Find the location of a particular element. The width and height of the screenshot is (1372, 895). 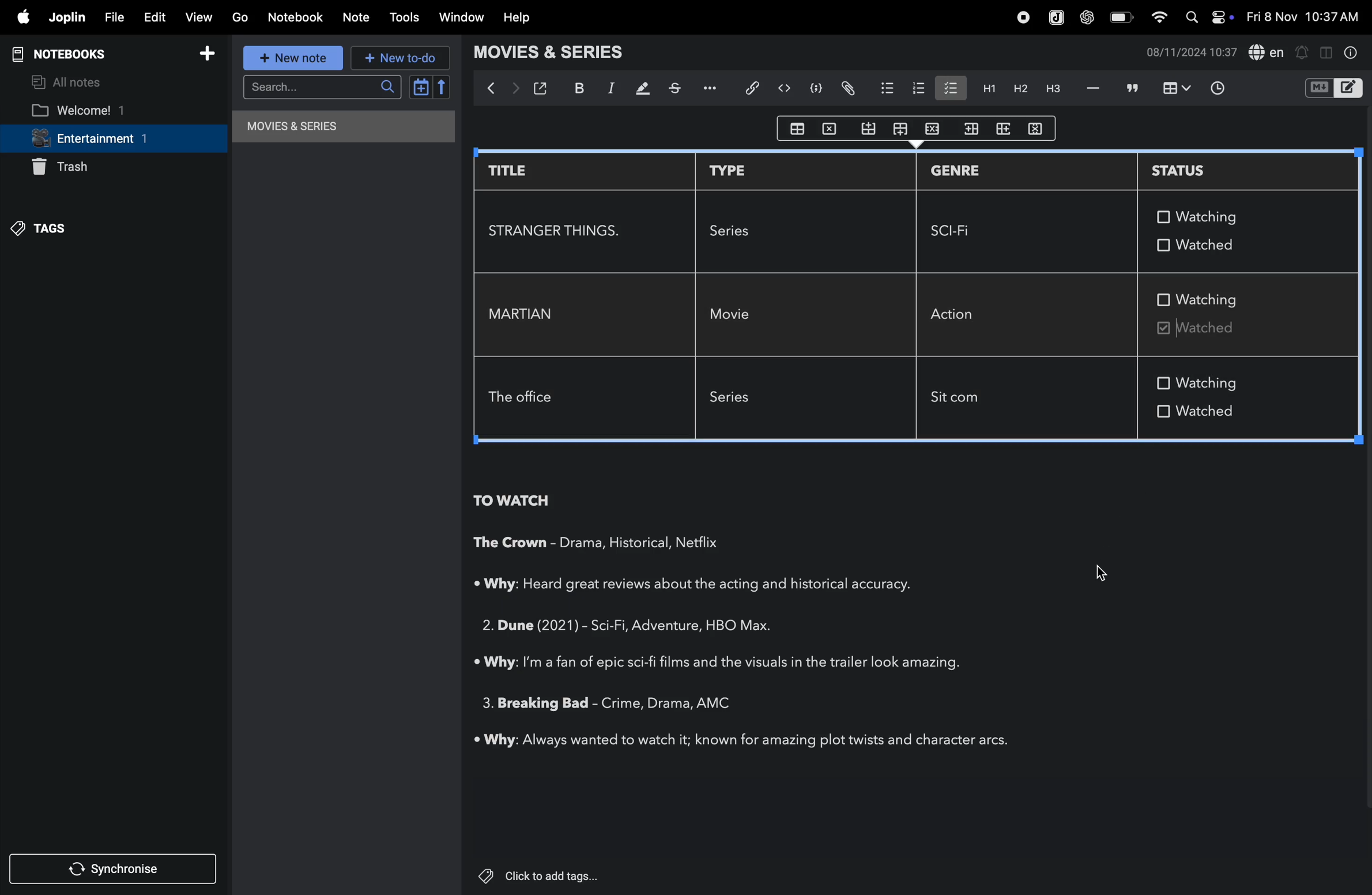

check box is located at coordinates (1163, 383).